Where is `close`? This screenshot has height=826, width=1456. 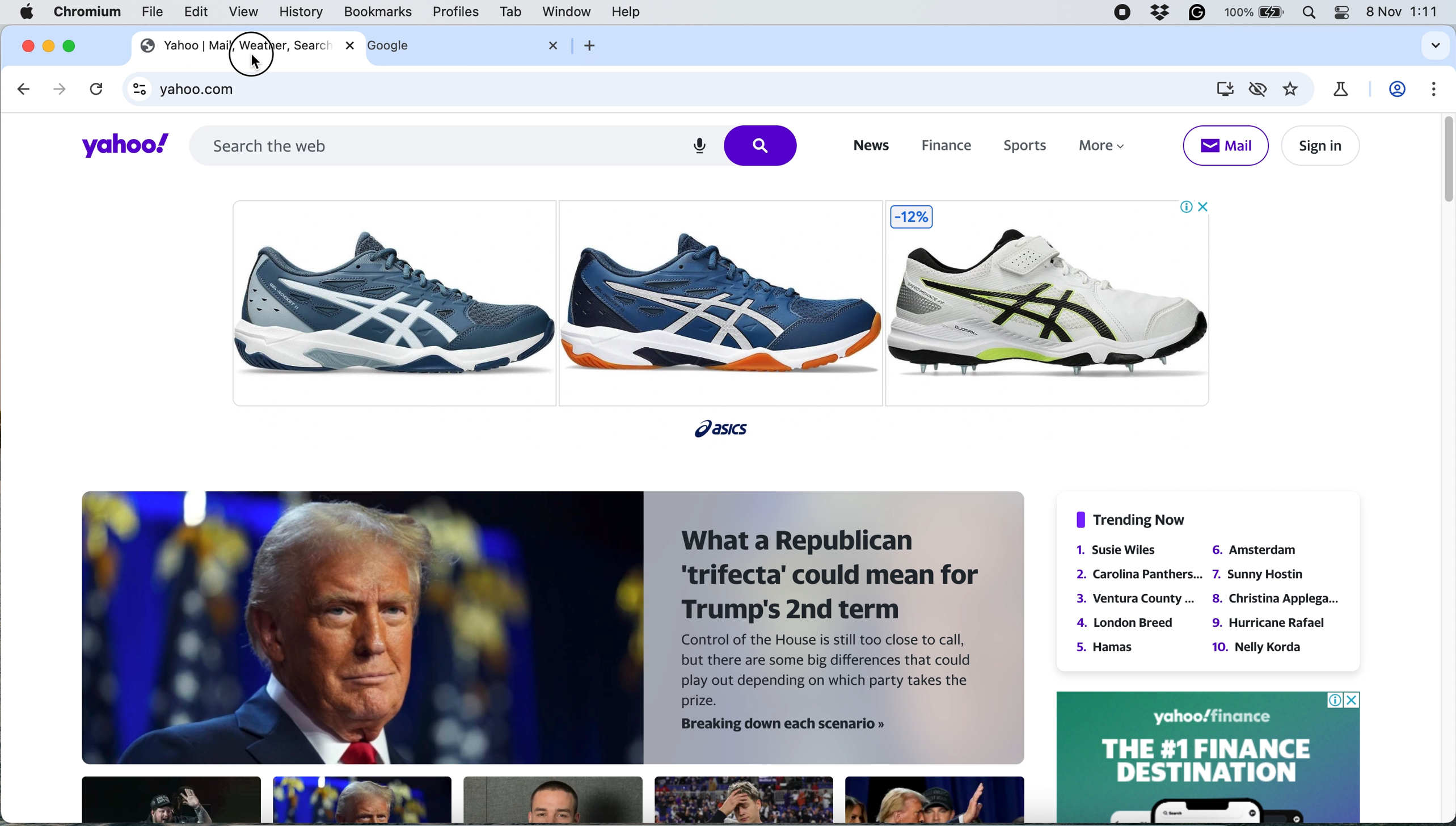 close is located at coordinates (555, 45).